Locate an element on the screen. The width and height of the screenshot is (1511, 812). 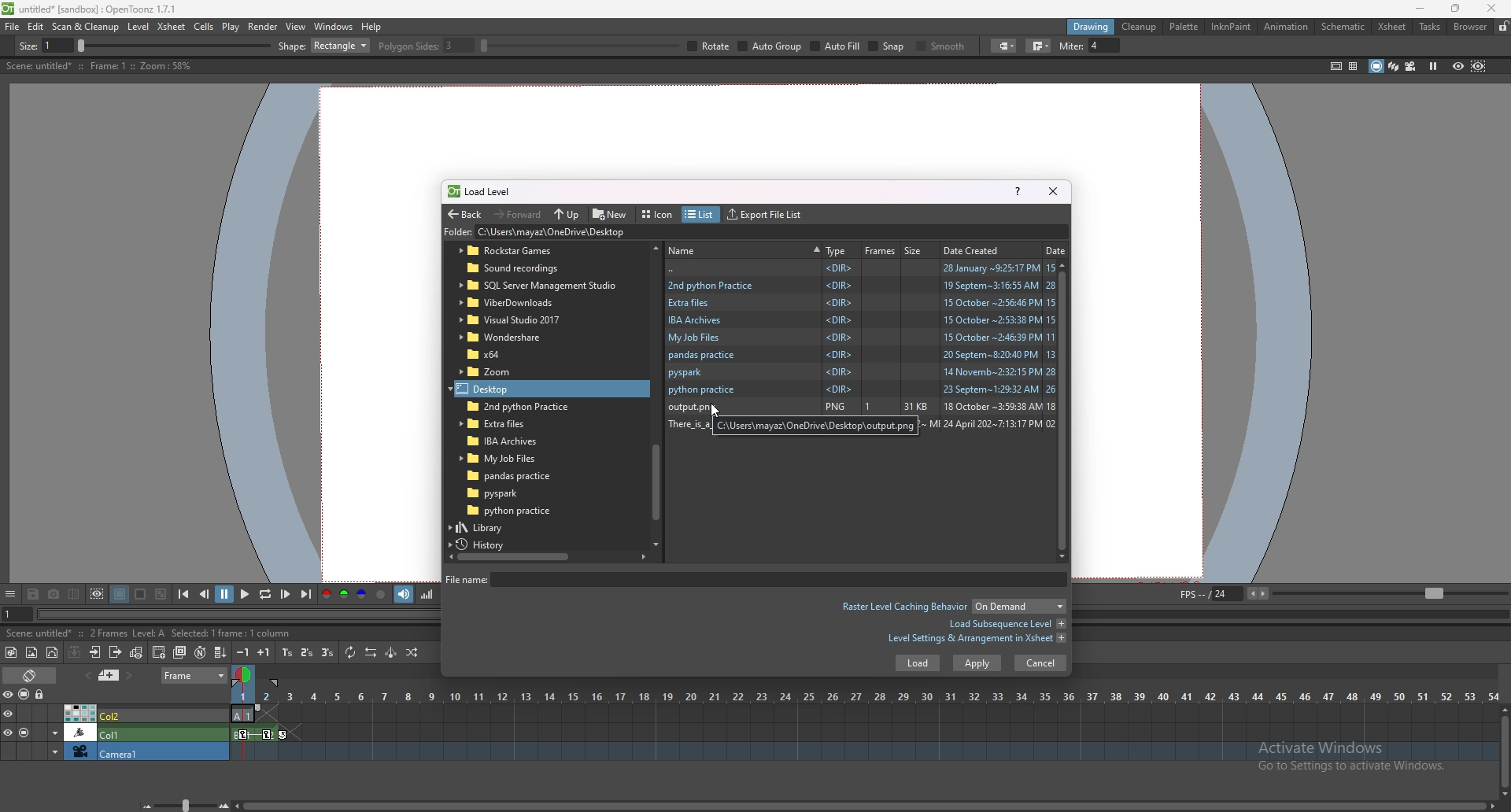
drawing is located at coordinates (1092, 26).